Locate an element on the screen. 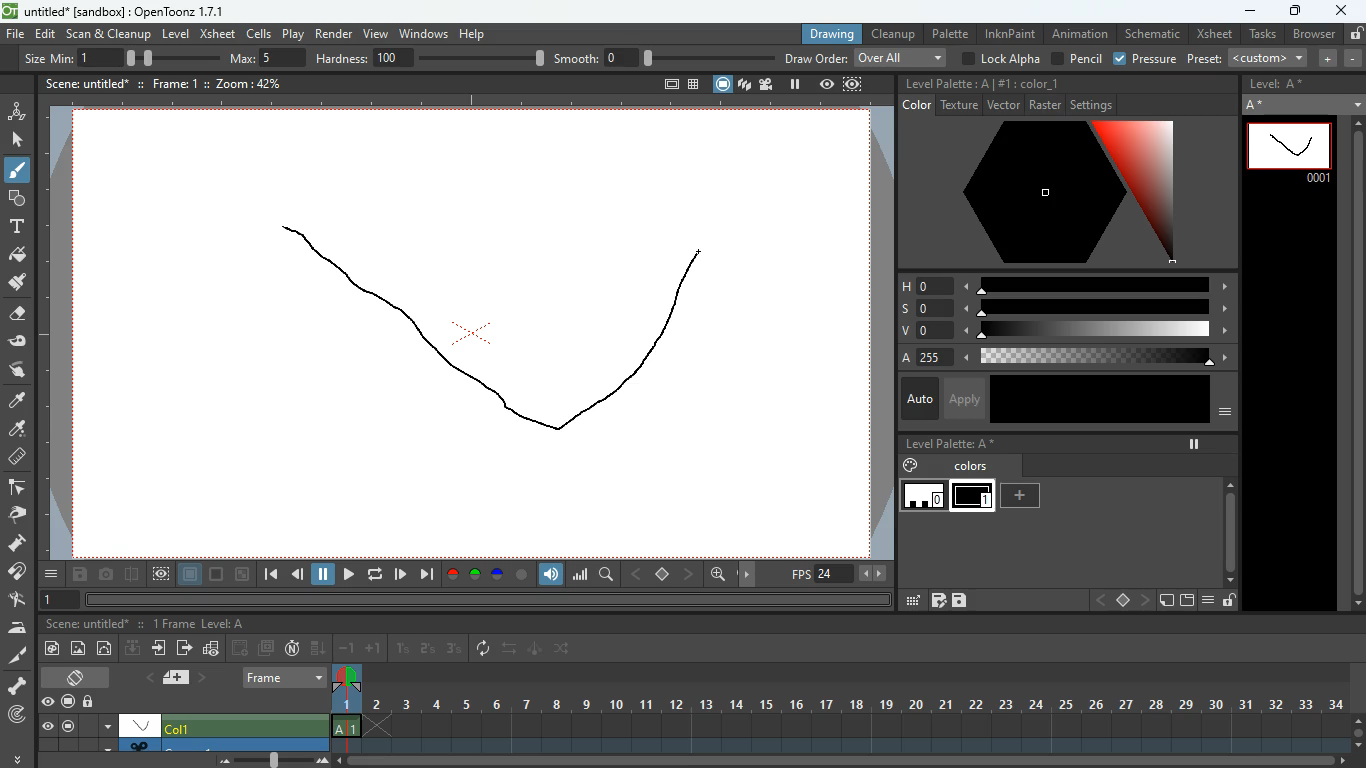 The width and height of the screenshot is (1366, 768). edit is located at coordinates (46, 34).